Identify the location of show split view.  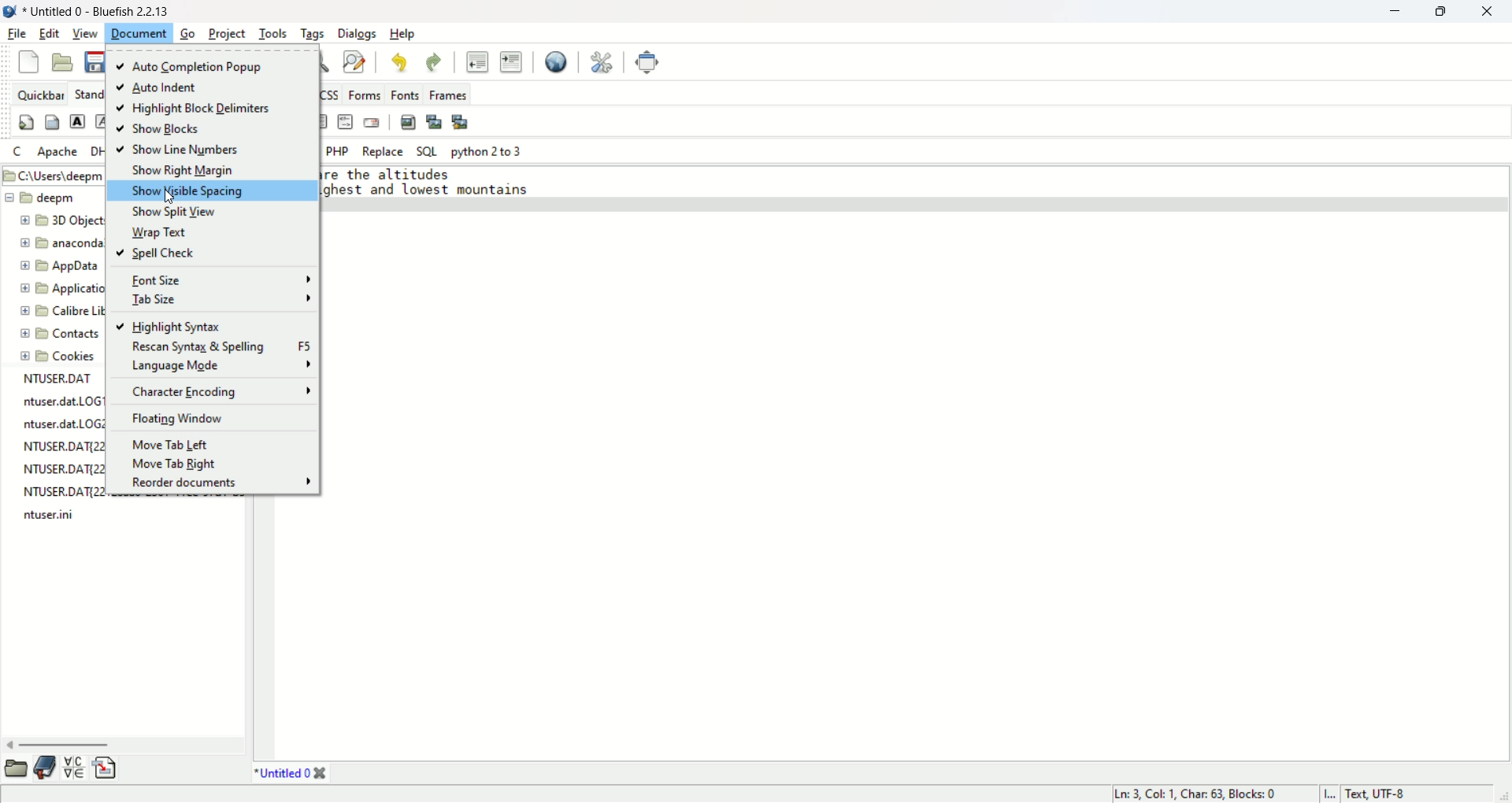
(174, 213).